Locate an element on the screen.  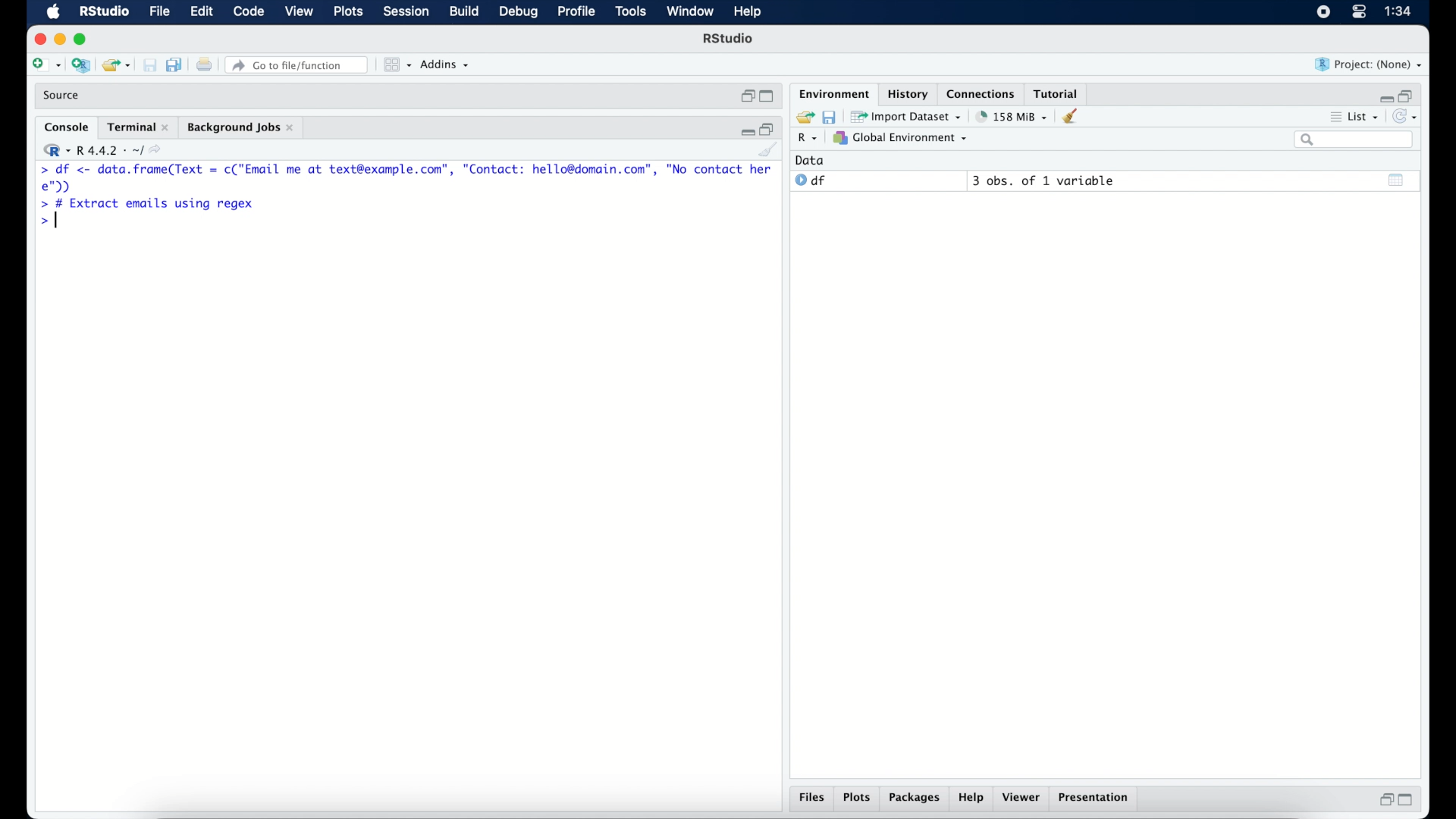
save is located at coordinates (833, 117).